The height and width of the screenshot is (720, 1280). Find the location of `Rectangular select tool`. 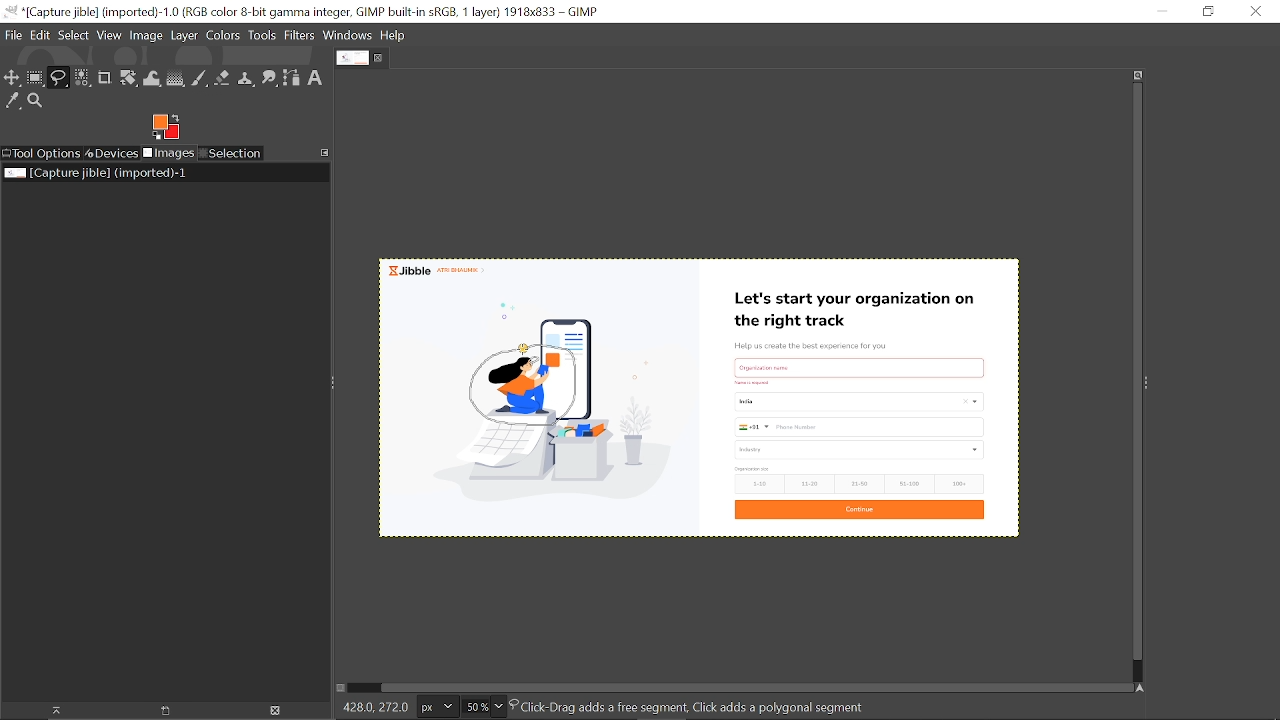

Rectangular select tool is located at coordinates (35, 77).